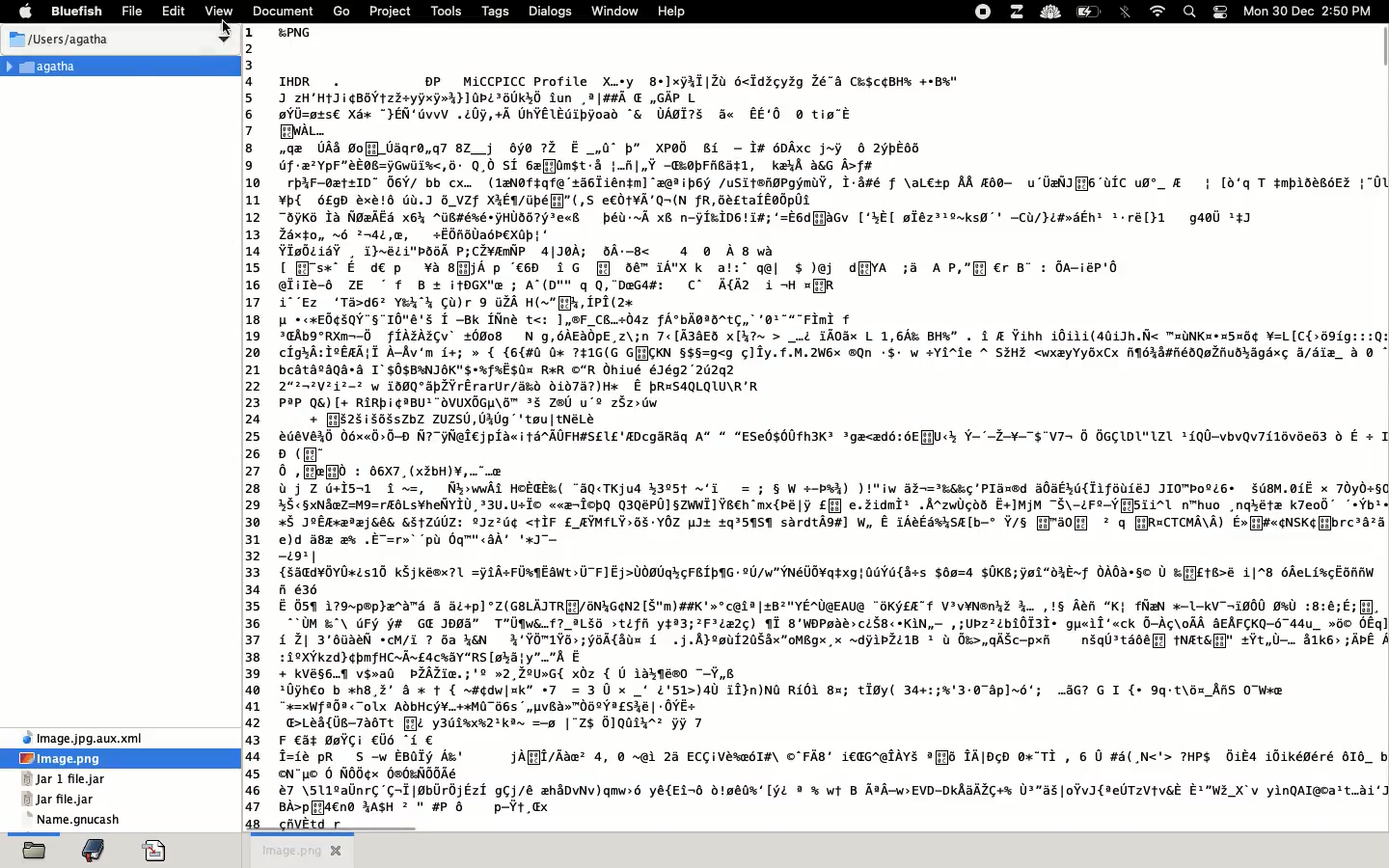 The height and width of the screenshot is (868, 1389). I want to click on extensions, so click(1017, 11).